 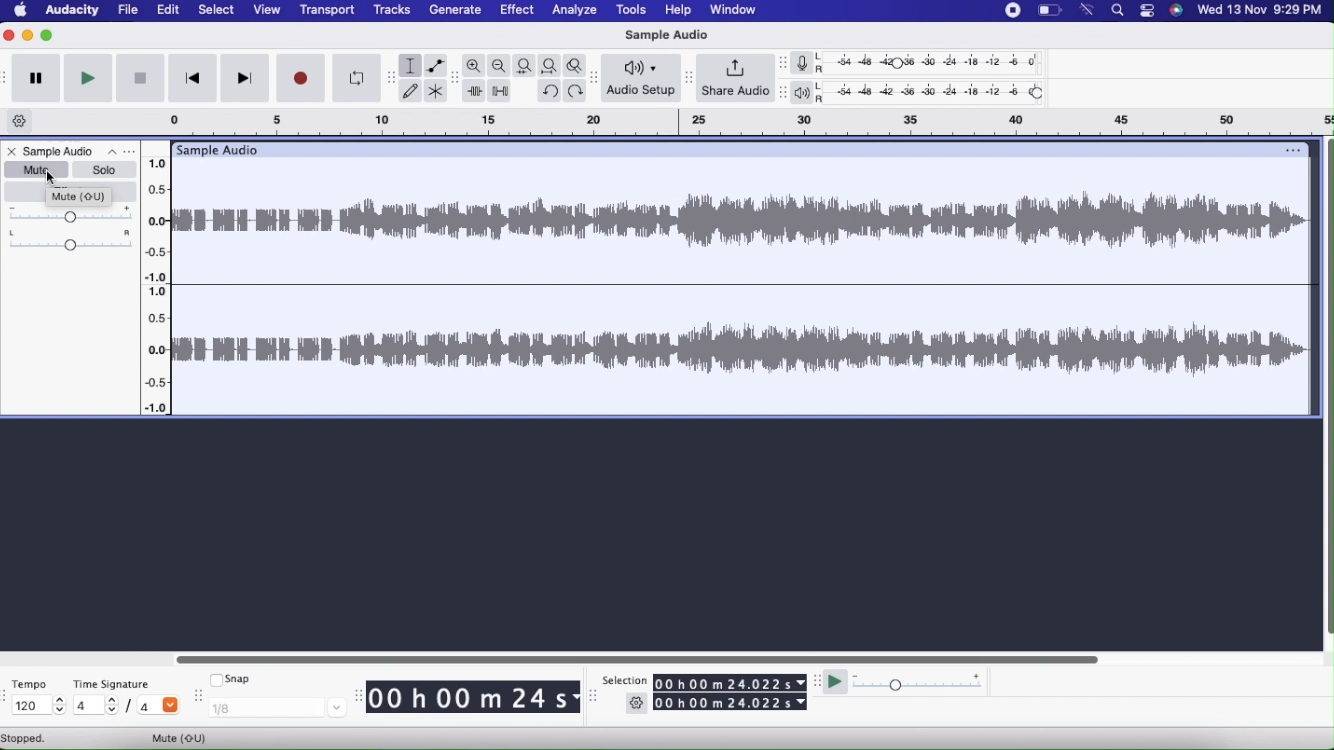 What do you see at coordinates (1294, 148) in the screenshot?
I see `options` at bounding box center [1294, 148].